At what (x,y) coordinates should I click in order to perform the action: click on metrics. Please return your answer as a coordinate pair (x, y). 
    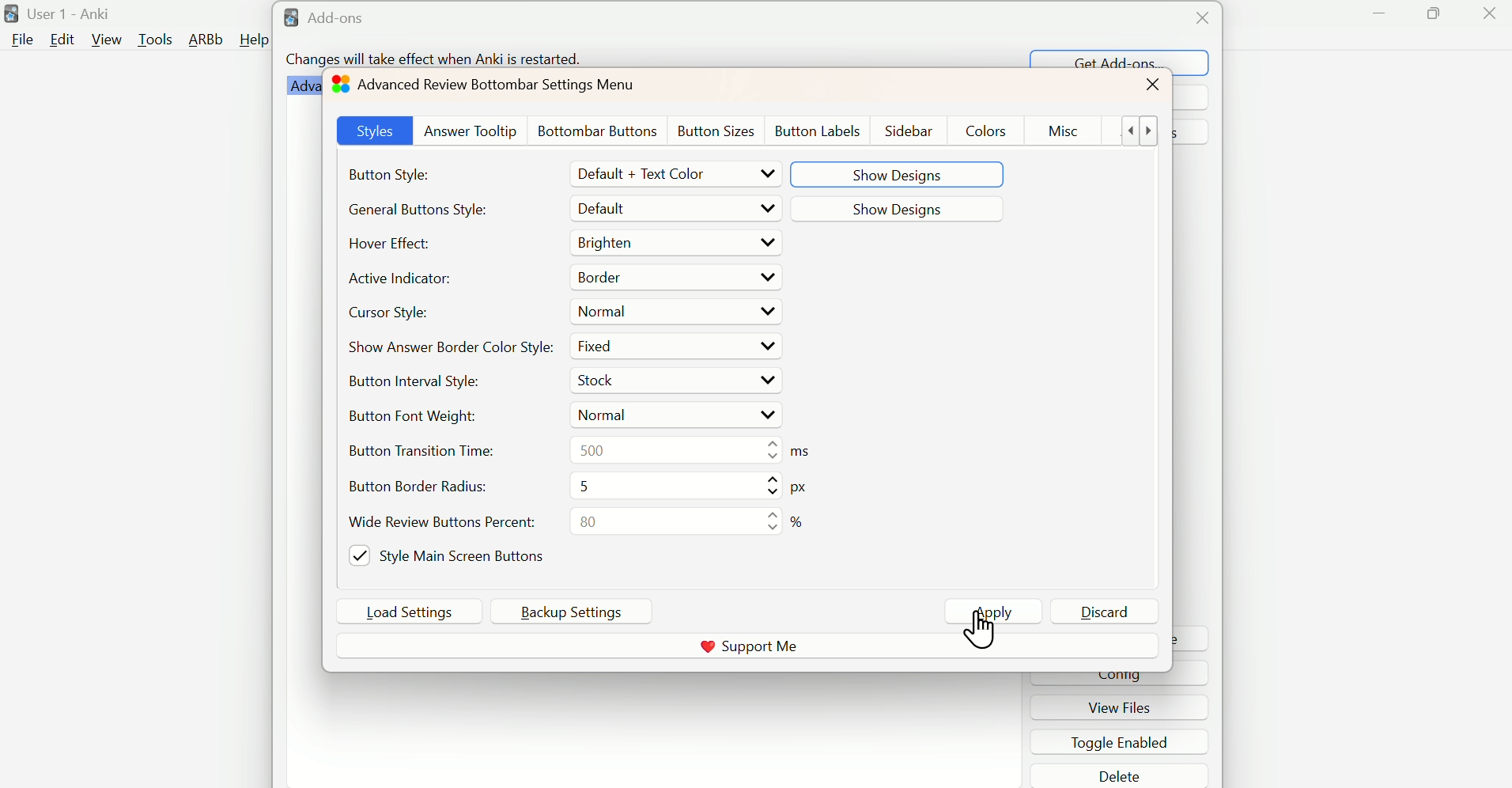
    Looking at the image, I should click on (803, 487).